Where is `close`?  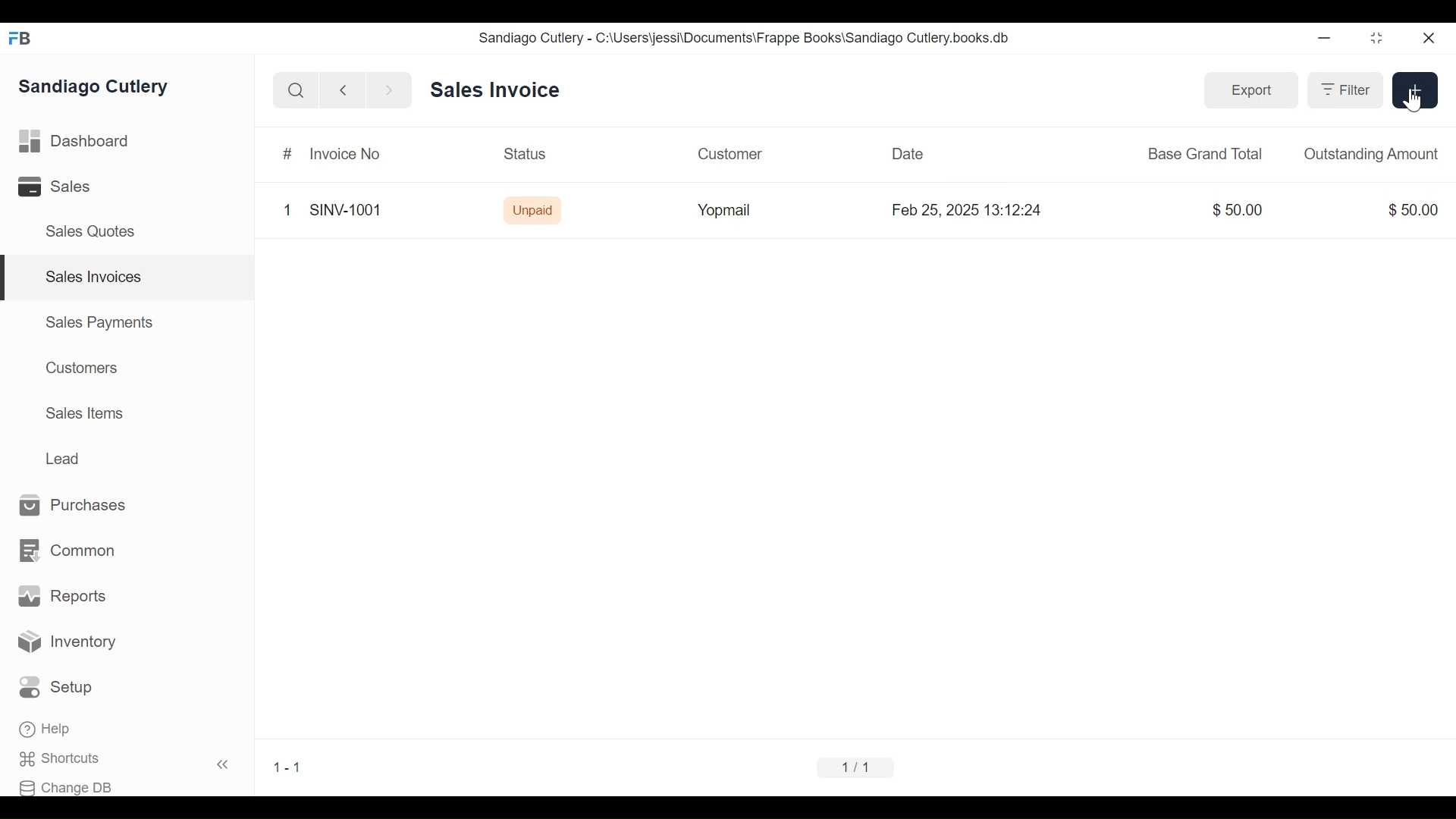 close is located at coordinates (1430, 39).